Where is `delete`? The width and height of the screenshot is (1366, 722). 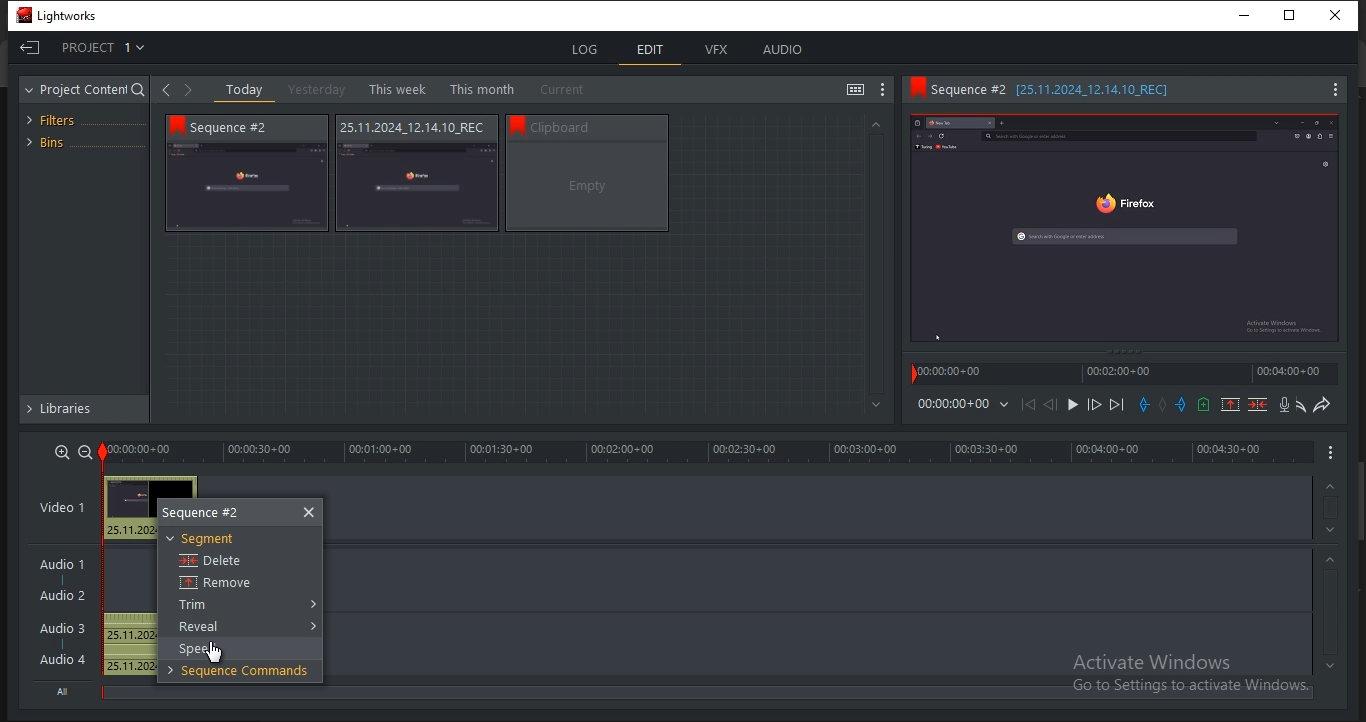
delete is located at coordinates (210, 560).